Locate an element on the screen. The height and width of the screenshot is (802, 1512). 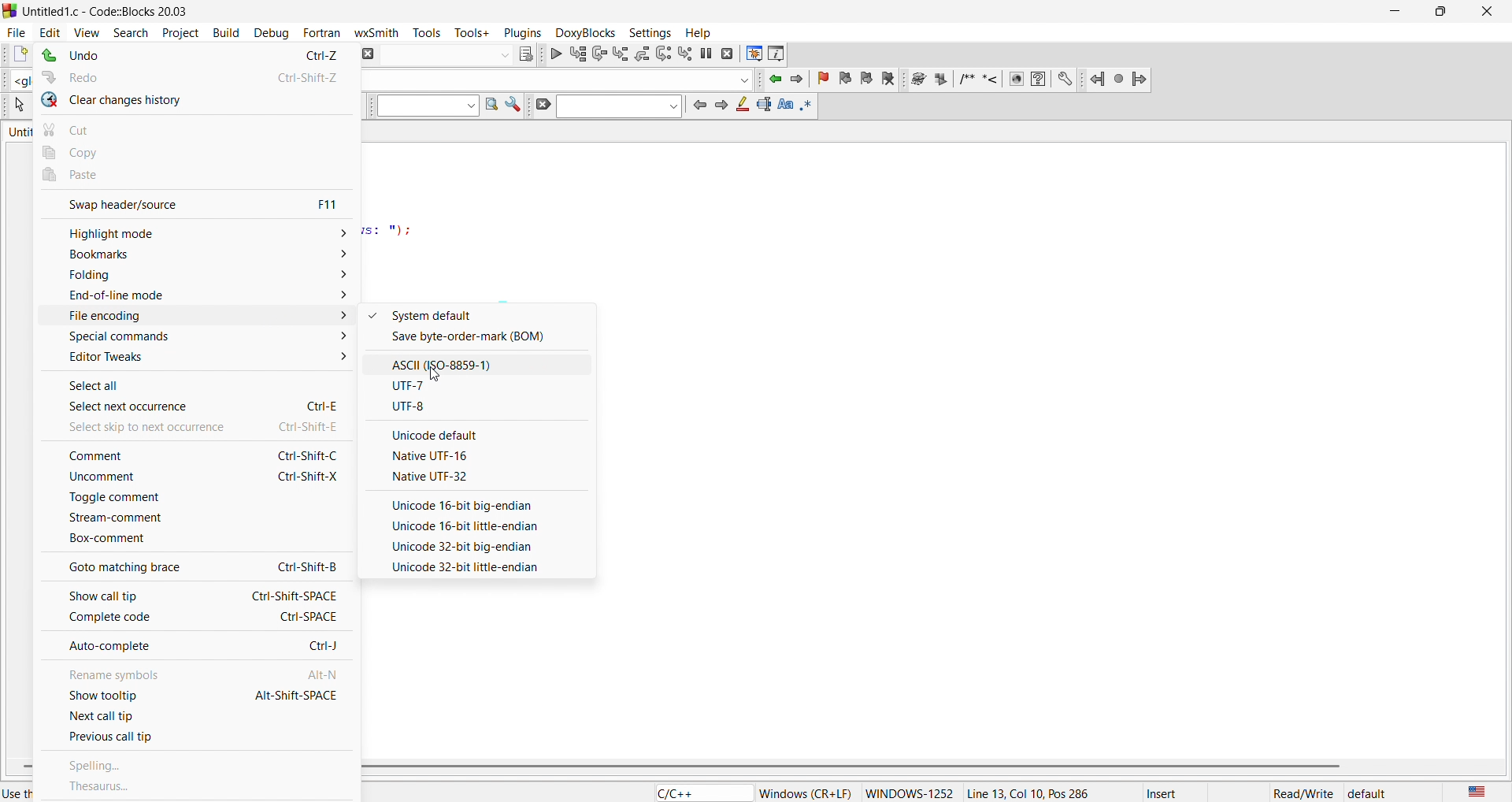
next line is located at coordinates (598, 54).